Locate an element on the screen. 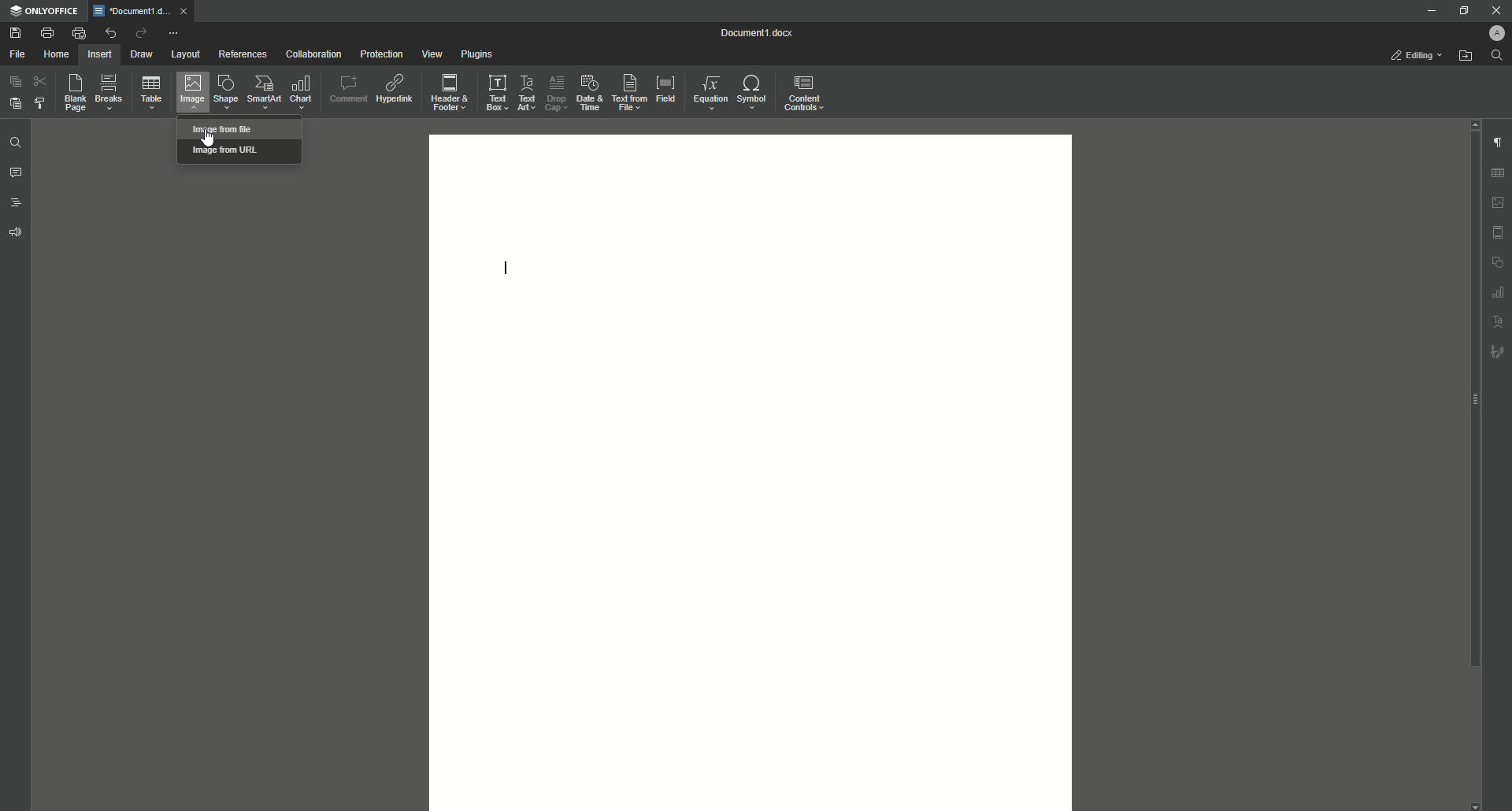  cursor is located at coordinates (509, 269).